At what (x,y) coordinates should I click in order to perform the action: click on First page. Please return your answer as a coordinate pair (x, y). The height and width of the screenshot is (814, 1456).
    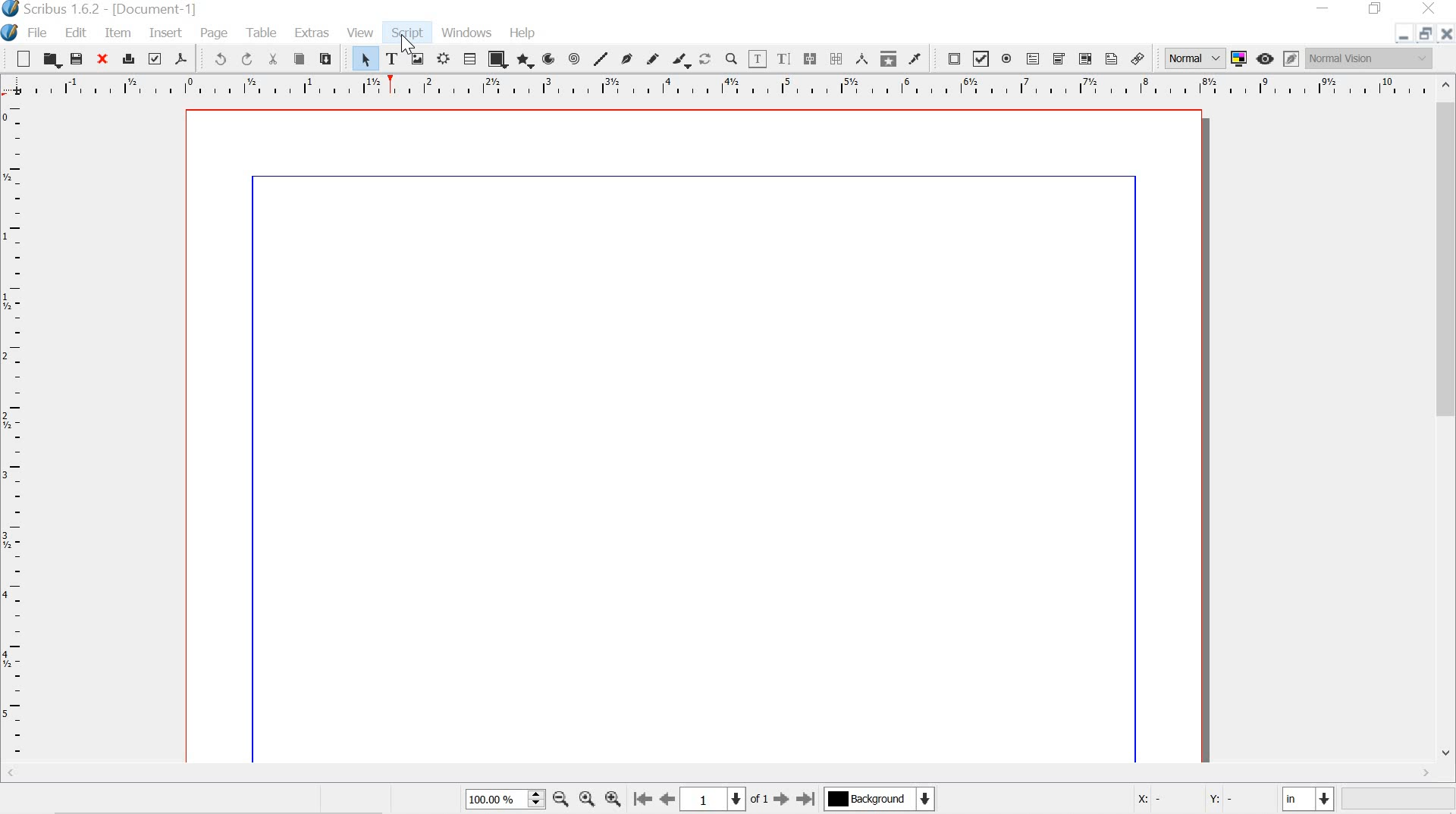
    Looking at the image, I should click on (640, 798).